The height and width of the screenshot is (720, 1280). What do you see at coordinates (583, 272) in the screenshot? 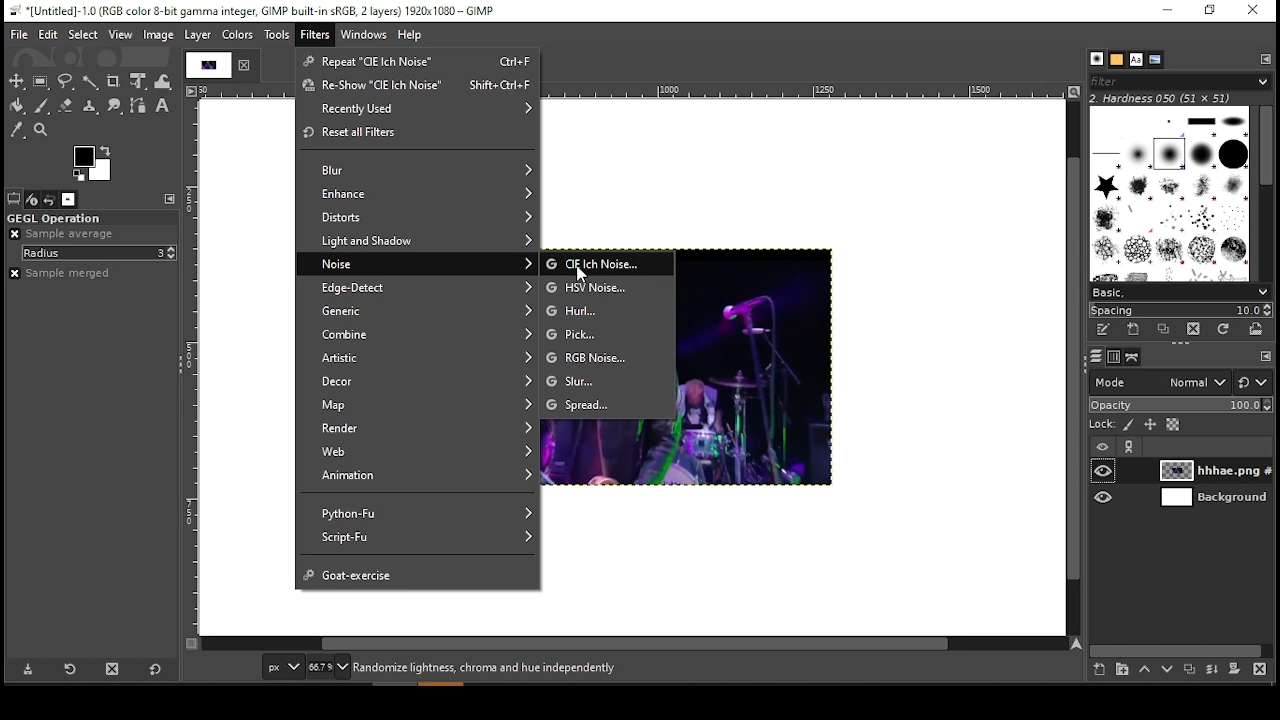
I see `mouse pointer` at bounding box center [583, 272].